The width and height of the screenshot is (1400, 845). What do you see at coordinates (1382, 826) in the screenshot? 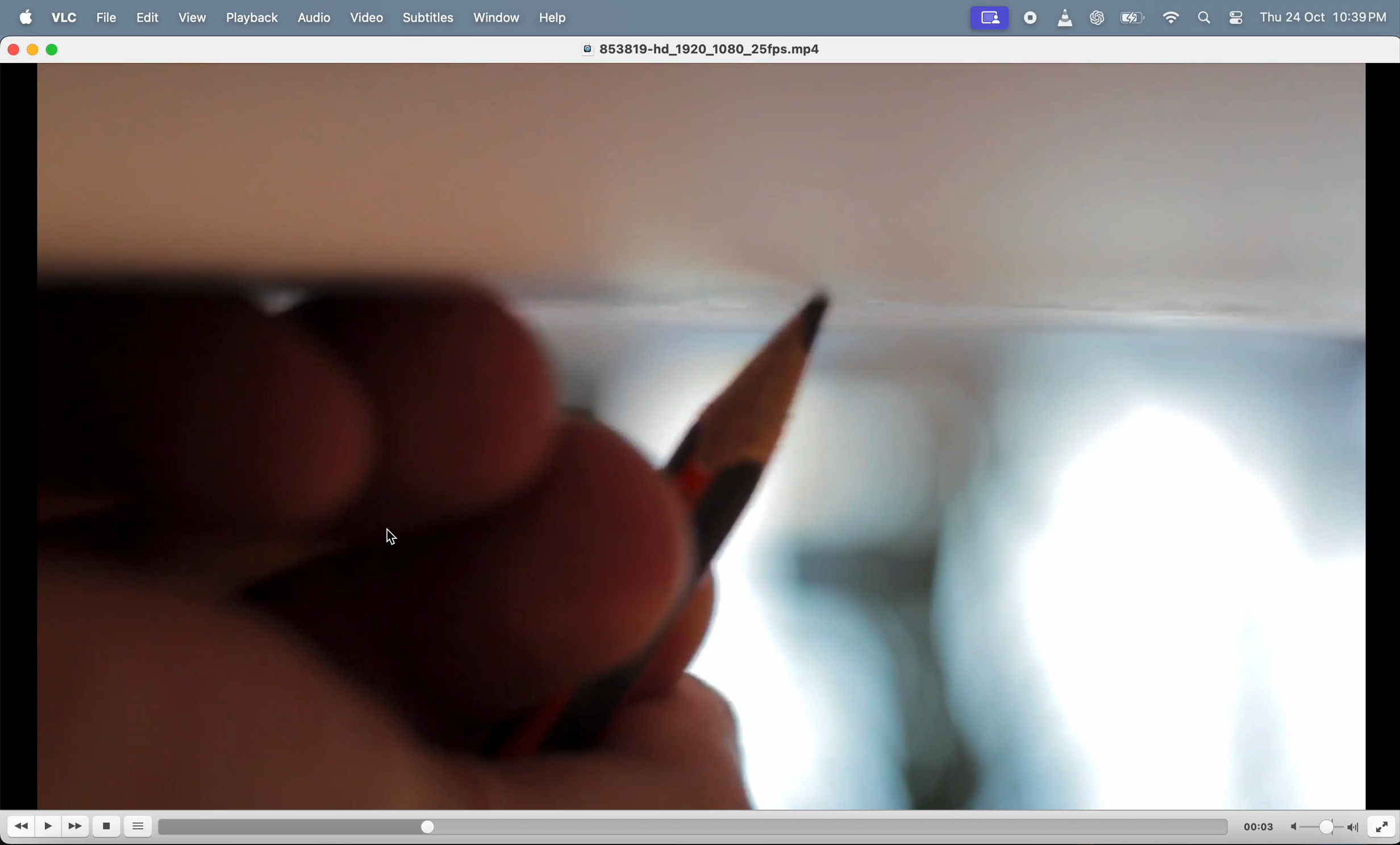
I see `` at bounding box center [1382, 826].